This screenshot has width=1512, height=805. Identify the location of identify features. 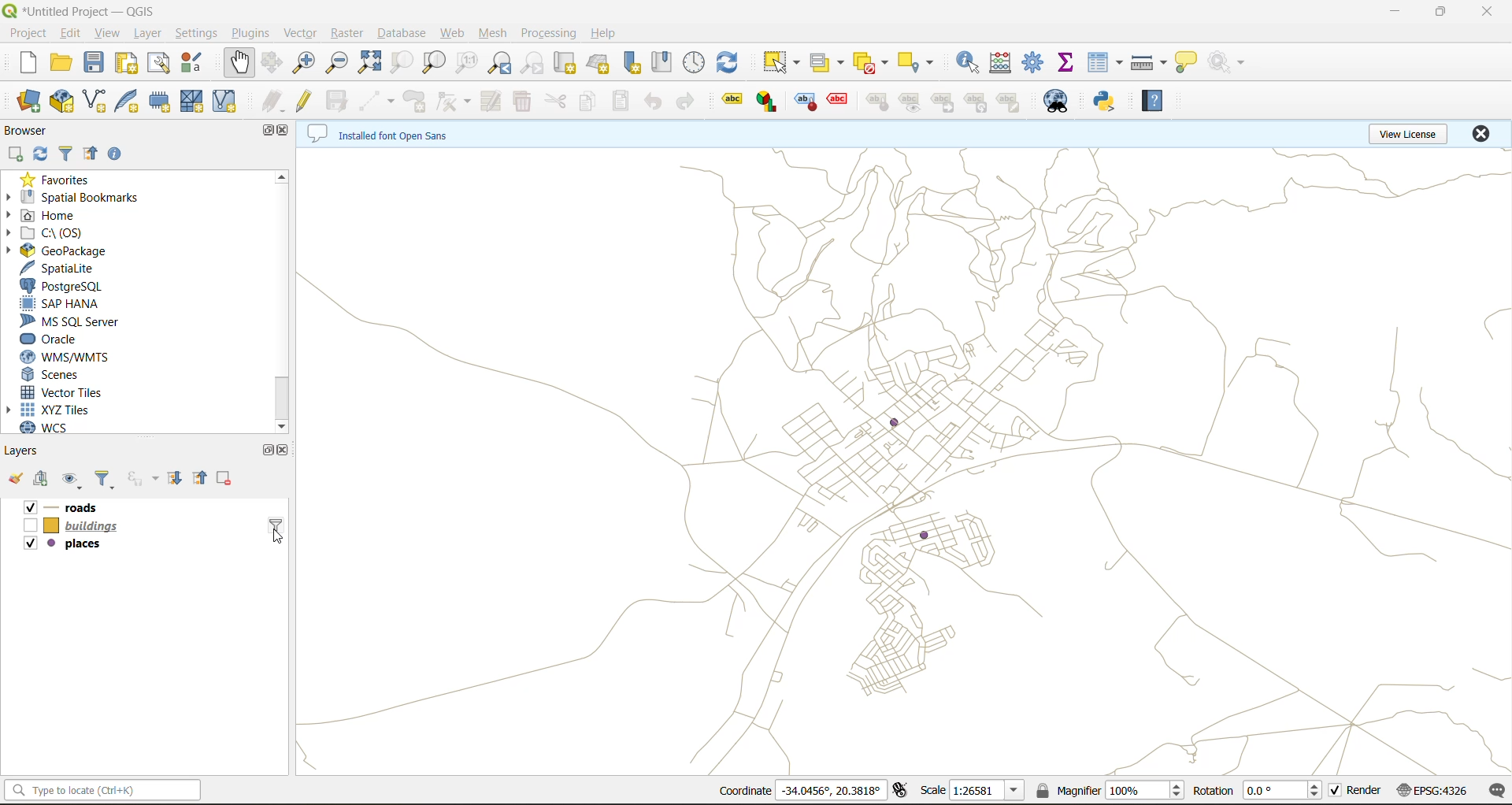
(971, 61).